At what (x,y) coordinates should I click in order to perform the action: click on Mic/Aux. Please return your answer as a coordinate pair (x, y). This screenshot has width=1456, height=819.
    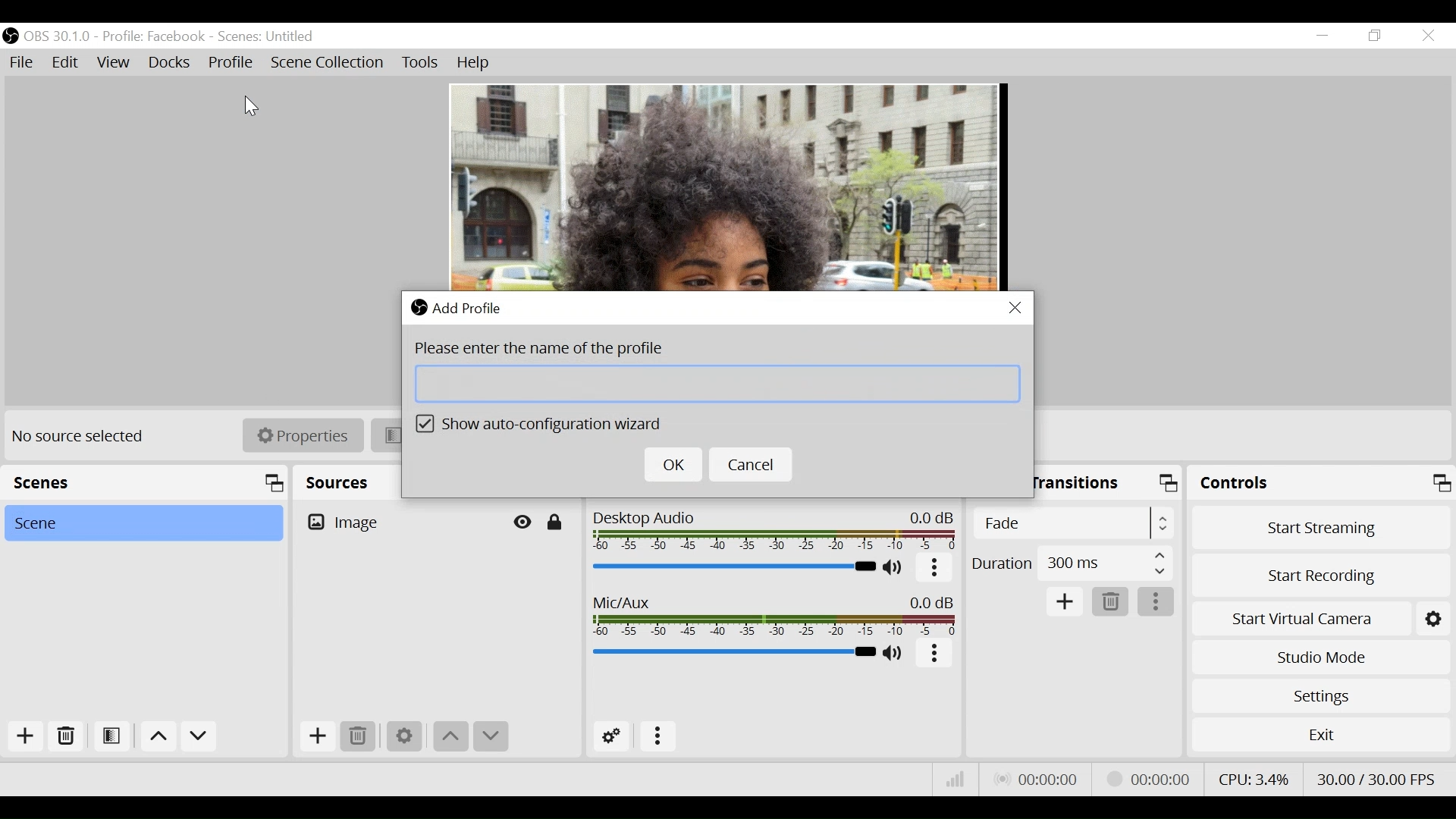
    Looking at the image, I should click on (733, 651).